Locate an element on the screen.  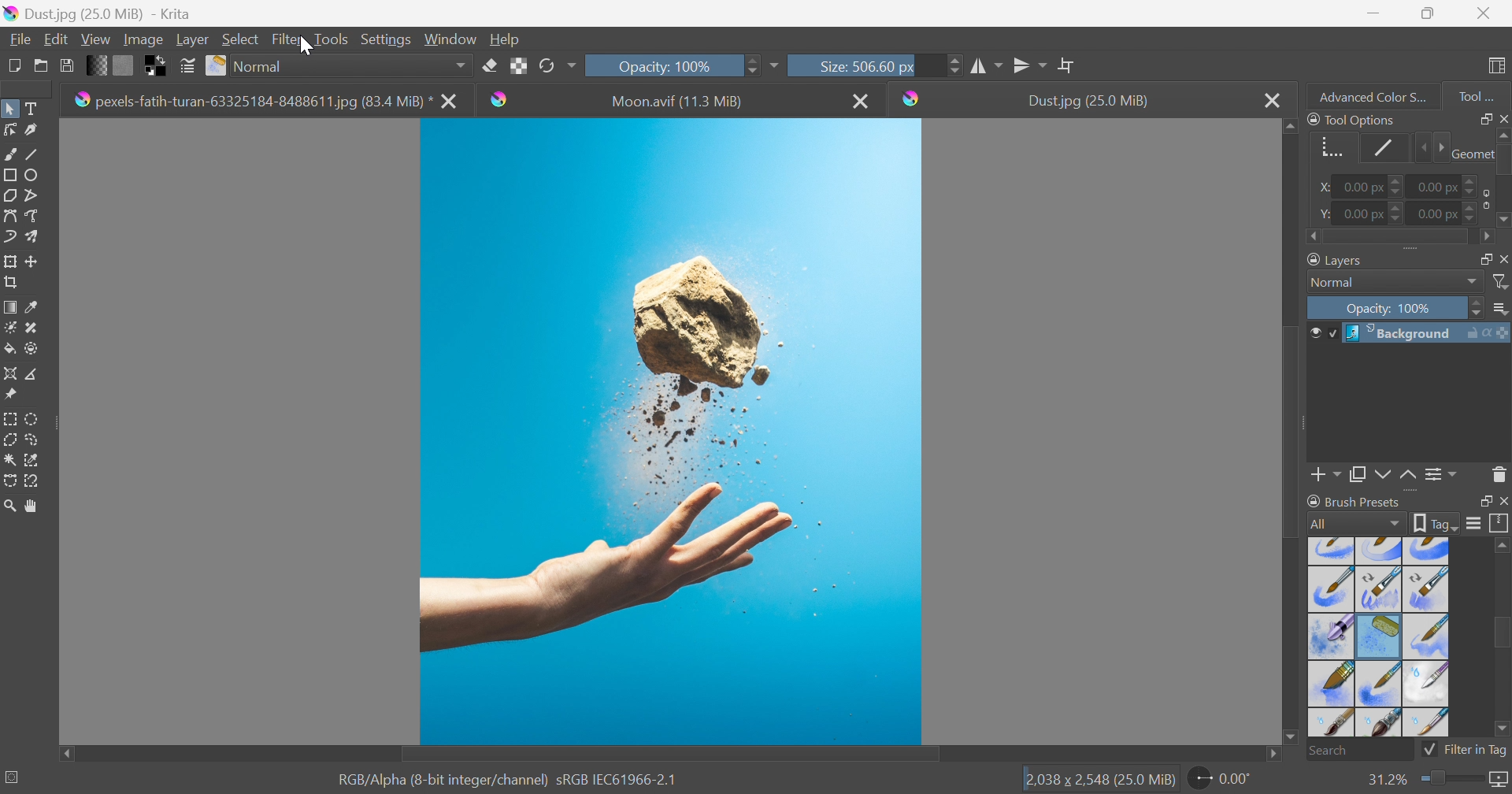
X: is located at coordinates (1320, 187).